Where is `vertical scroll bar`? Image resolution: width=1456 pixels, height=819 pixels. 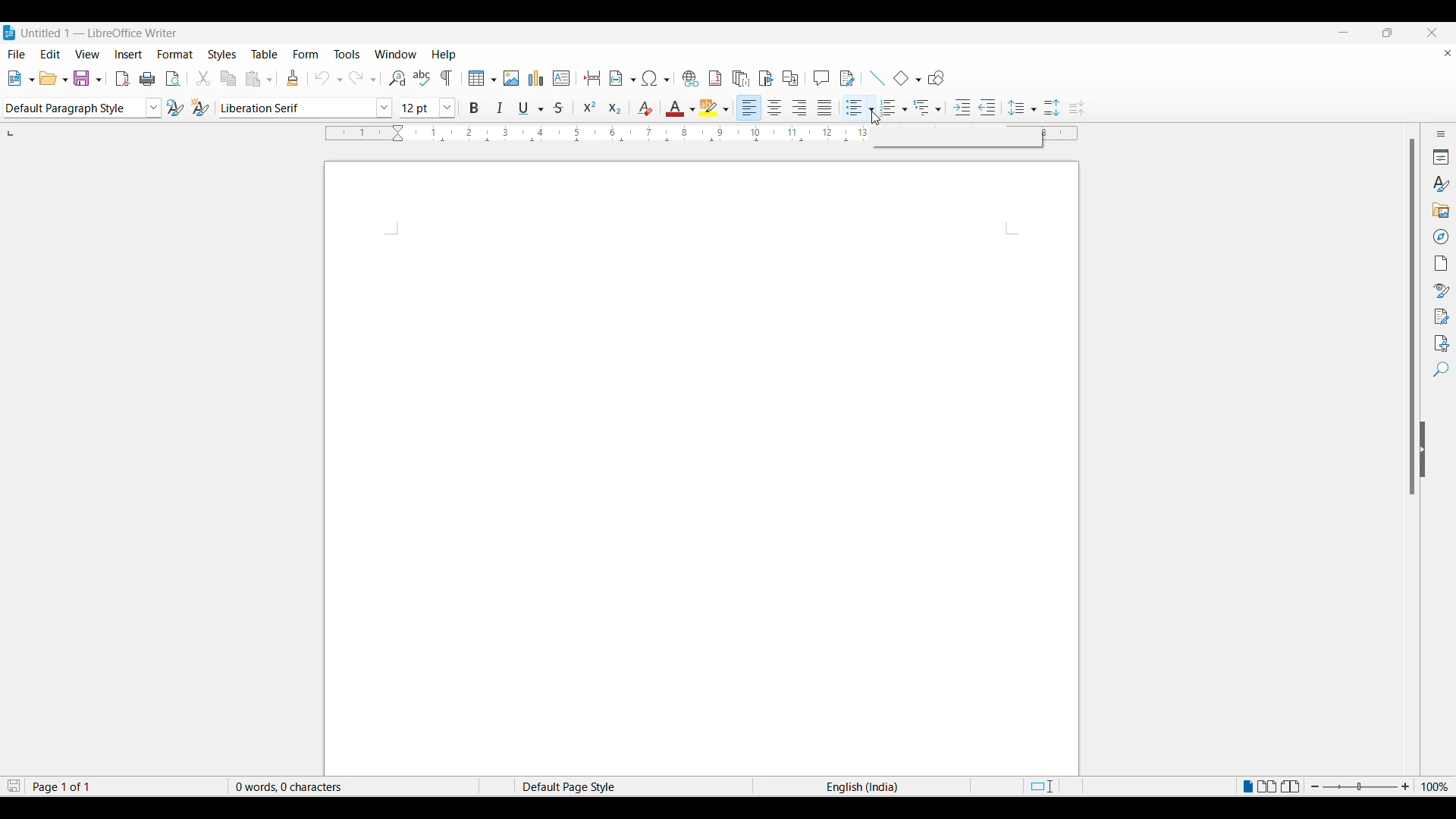 vertical scroll bar is located at coordinates (1404, 319).